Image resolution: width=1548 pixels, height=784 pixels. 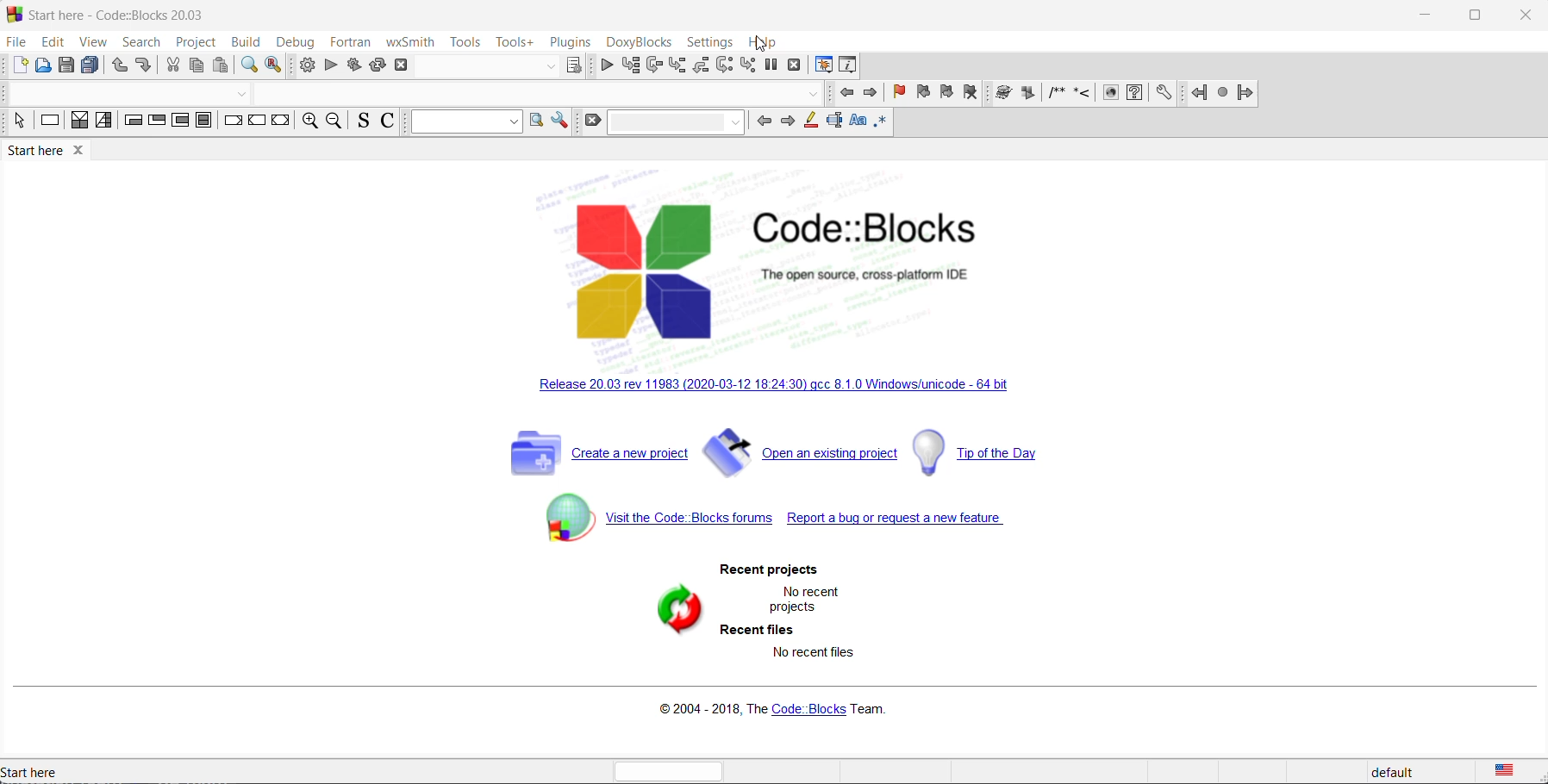 I want to click on step into, so click(x=680, y=65).